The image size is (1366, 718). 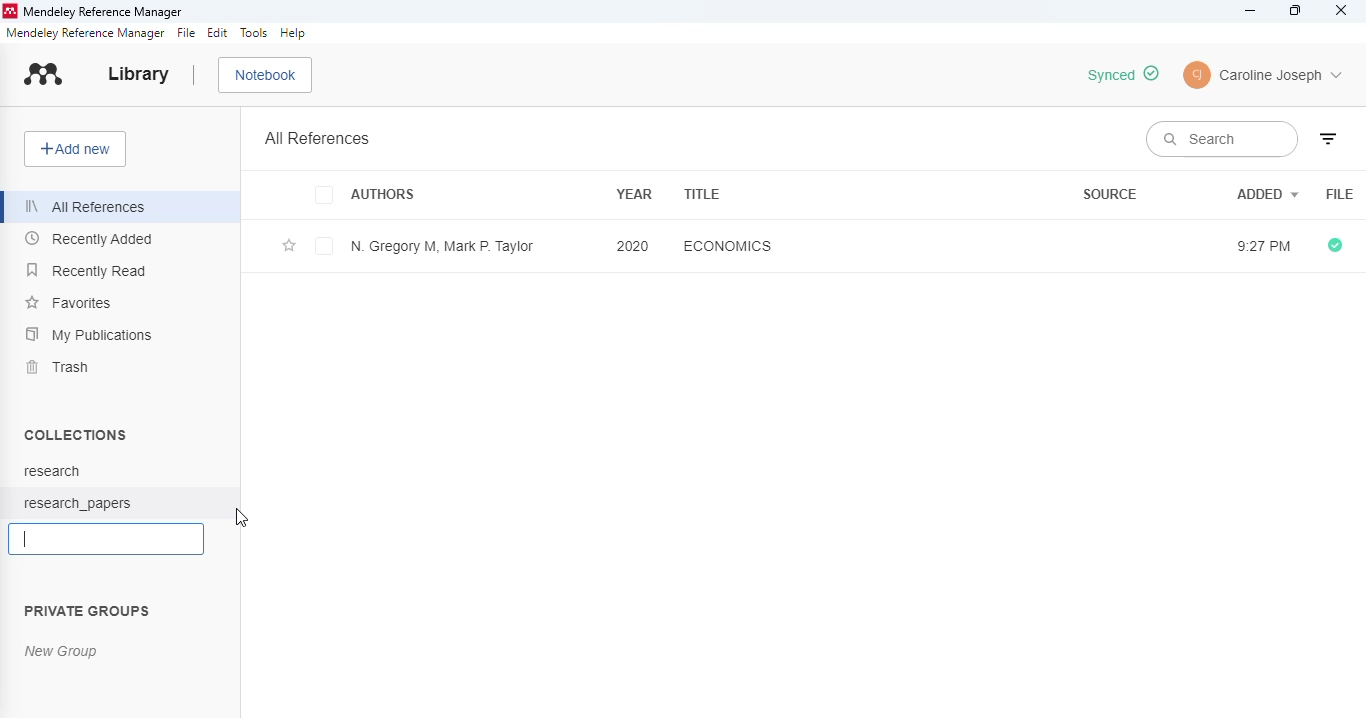 I want to click on new collection "research_papers" added to organize research papers, so click(x=1125, y=73).